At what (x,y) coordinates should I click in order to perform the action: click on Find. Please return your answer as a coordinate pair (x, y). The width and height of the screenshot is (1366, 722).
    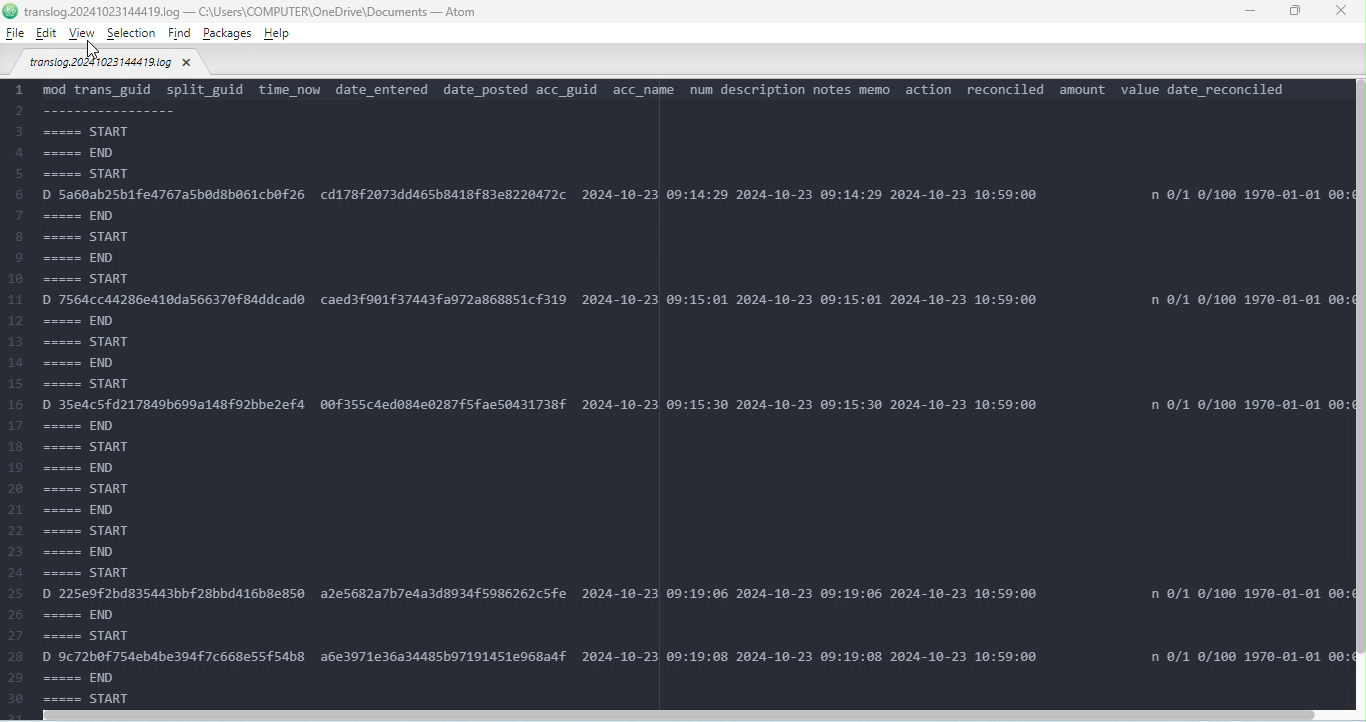
    Looking at the image, I should click on (181, 35).